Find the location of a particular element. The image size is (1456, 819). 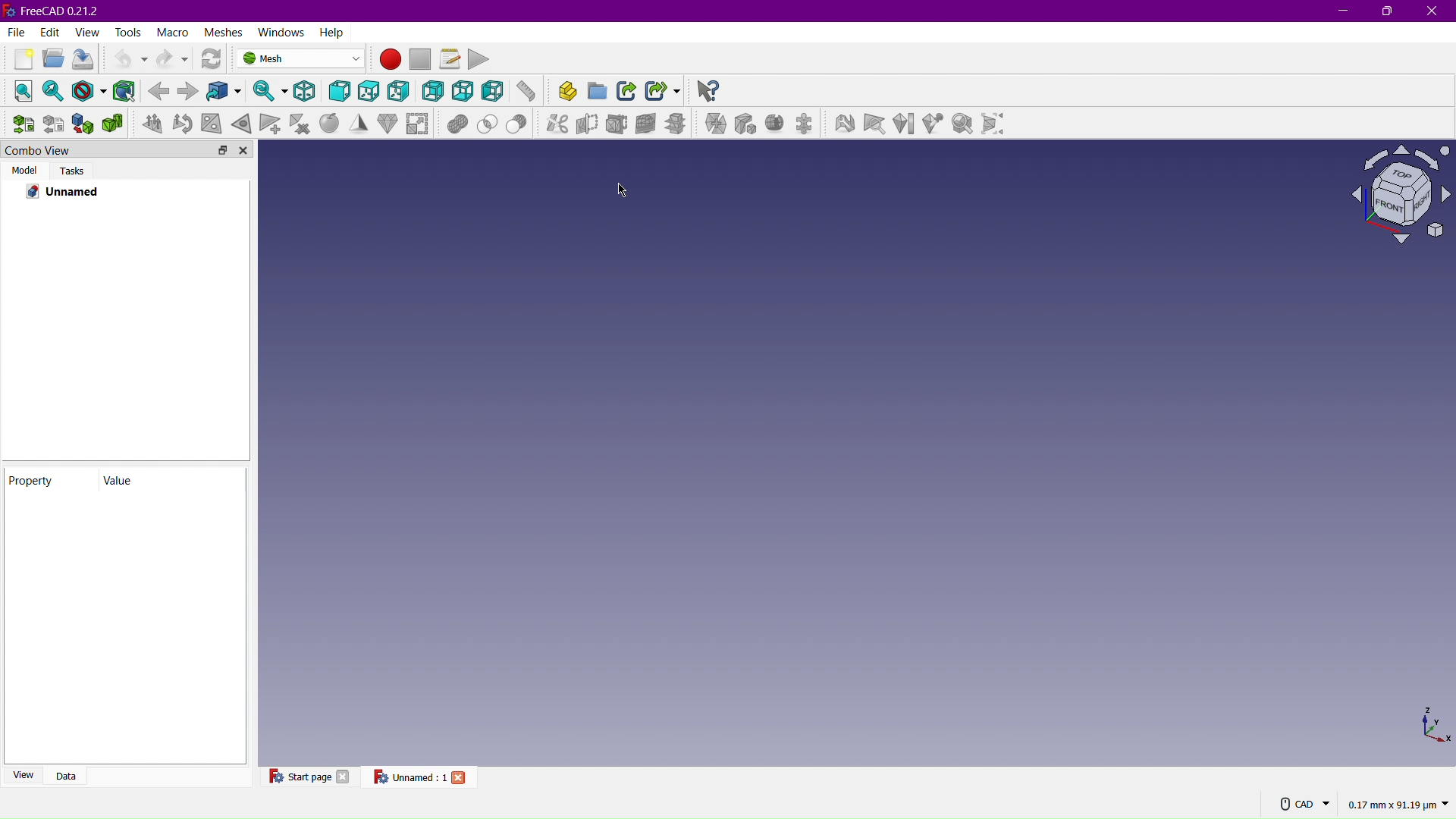

Cross-sections is located at coordinates (679, 125).